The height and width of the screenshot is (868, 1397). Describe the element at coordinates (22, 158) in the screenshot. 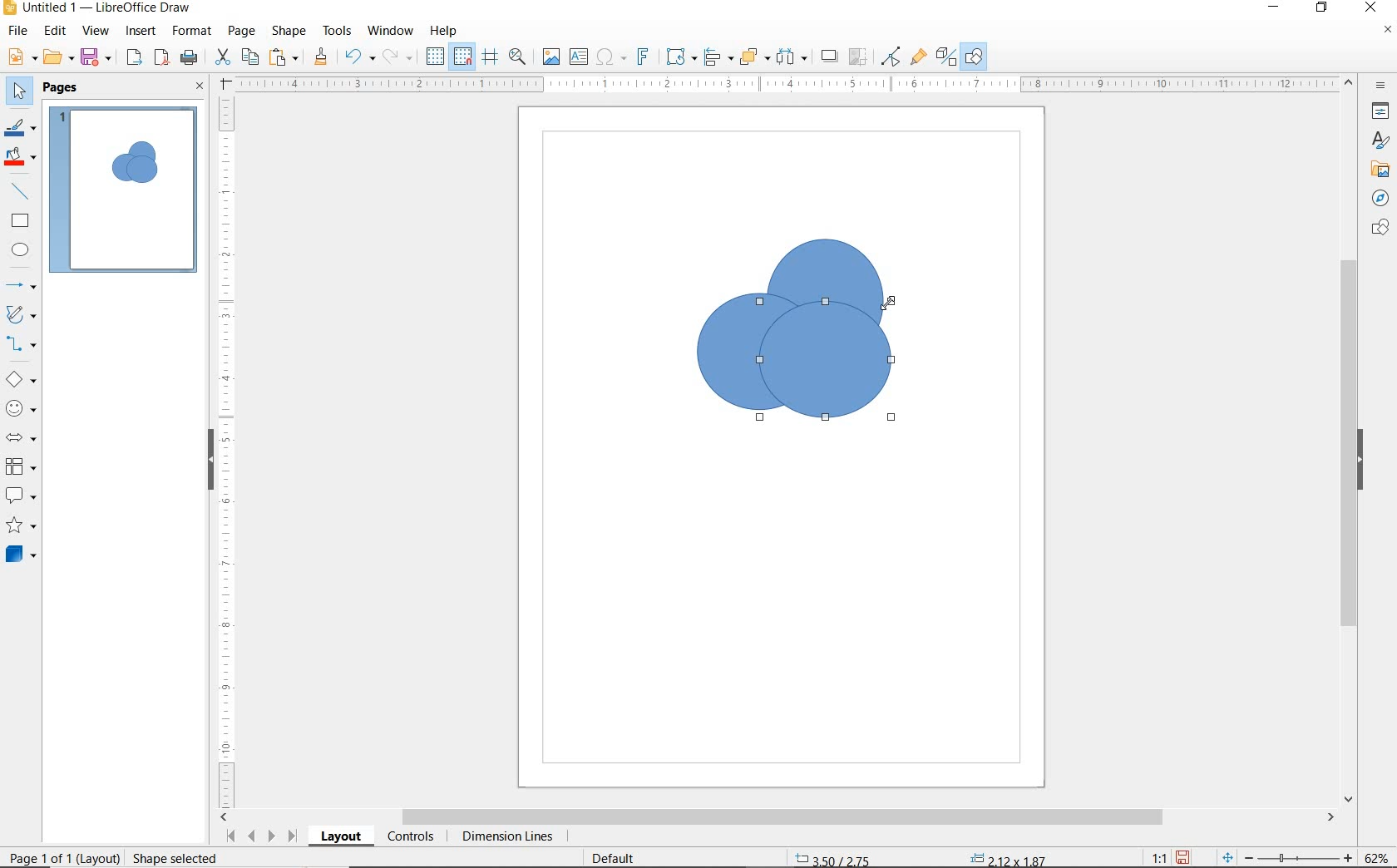

I see `FILL COLOR` at that location.